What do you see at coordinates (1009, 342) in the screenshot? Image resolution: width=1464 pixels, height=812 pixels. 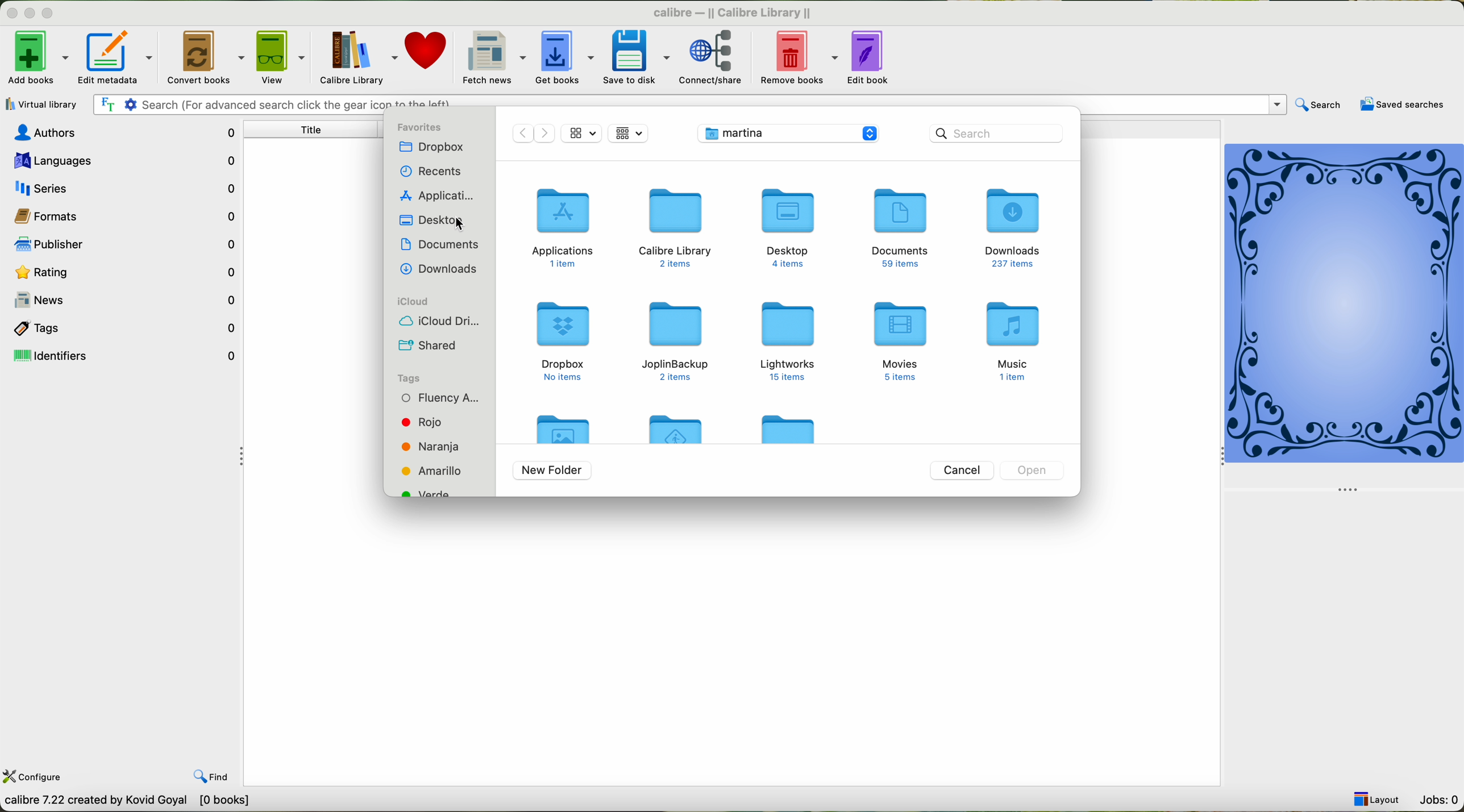 I see `music folder` at bounding box center [1009, 342].